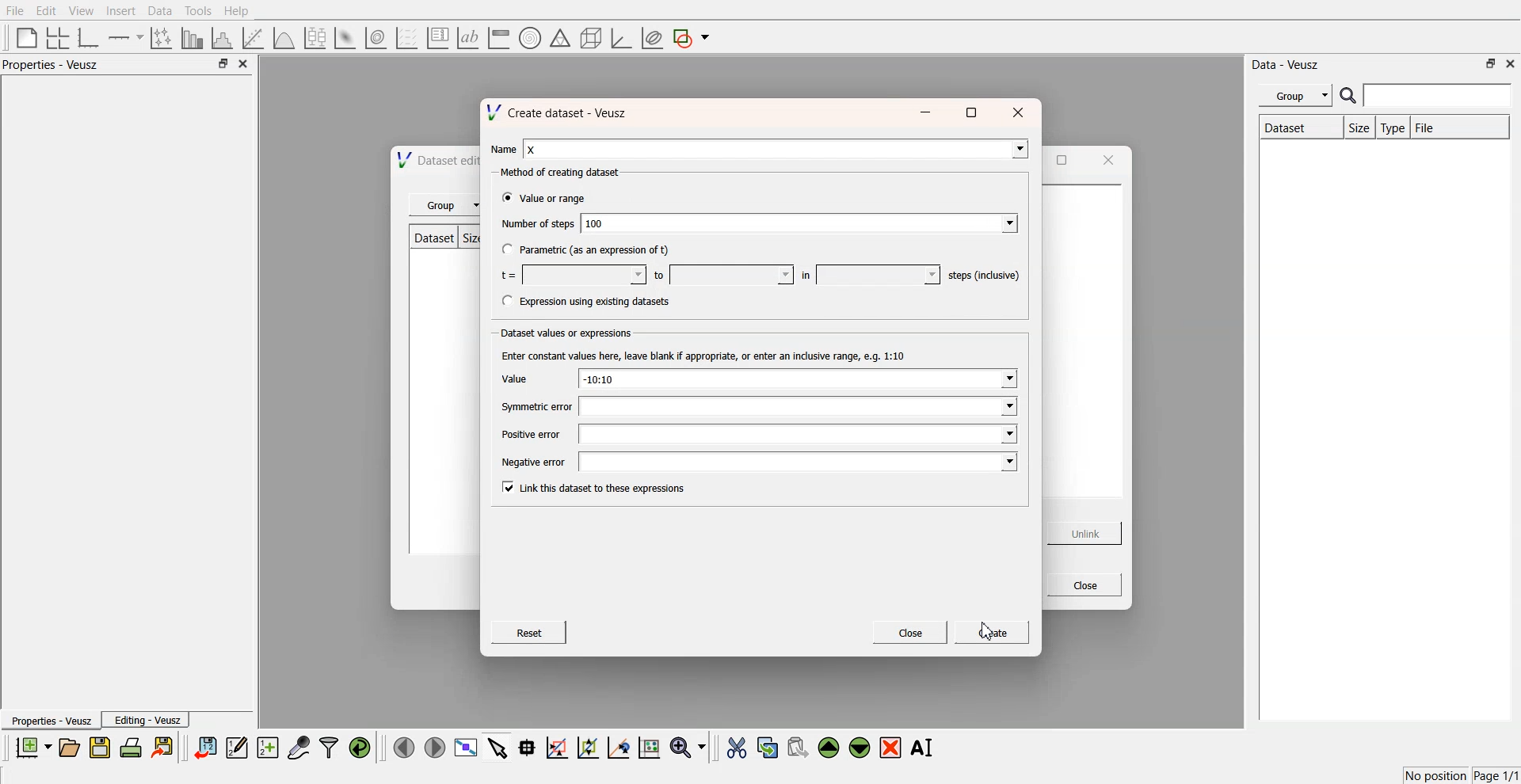 This screenshot has height=784, width=1521. What do you see at coordinates (80, 11) in the screenshot?
I see `View` at bounding box center [80, 11].